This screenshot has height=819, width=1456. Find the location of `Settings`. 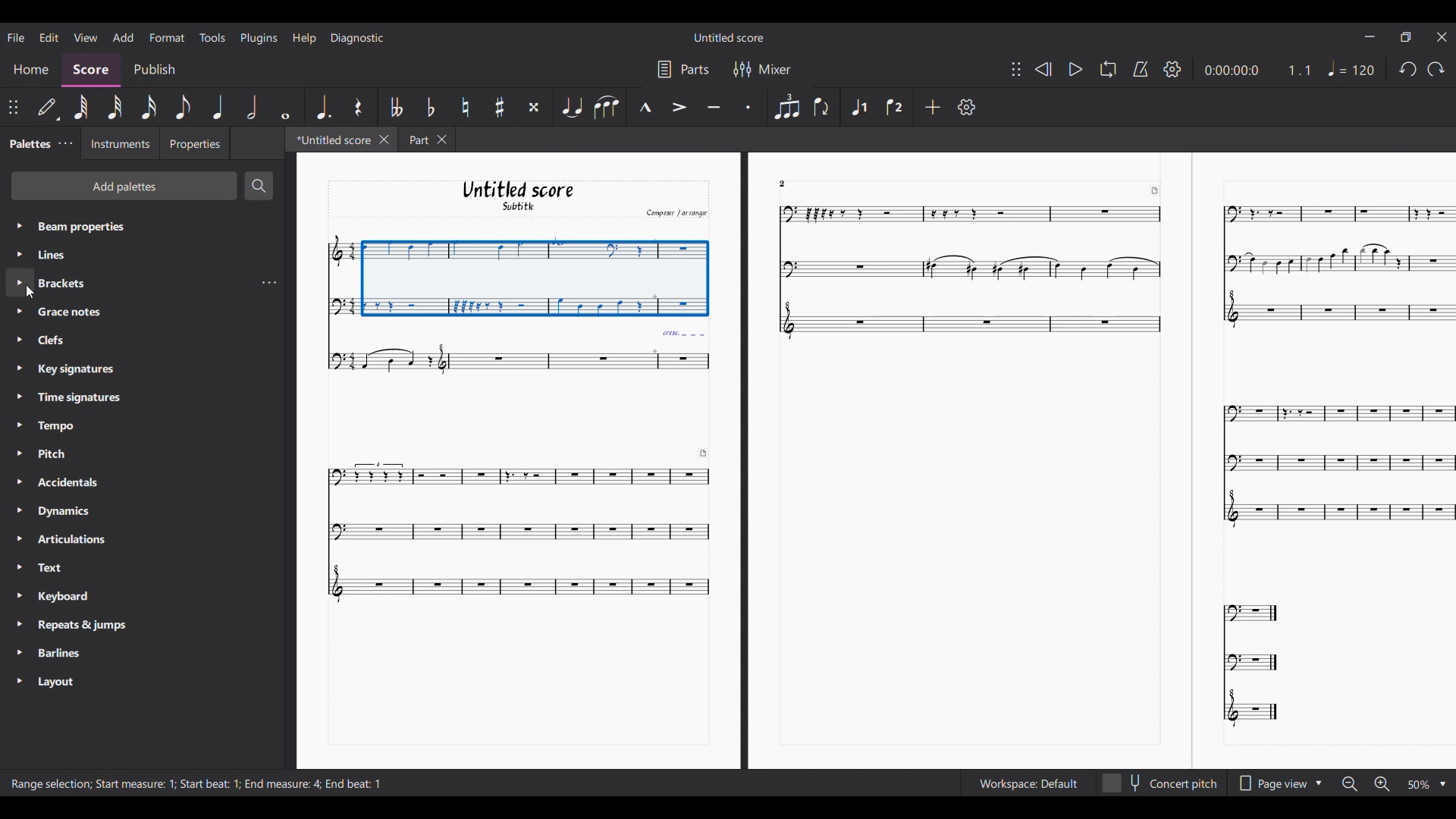

Settings is located at coordinates (966, 107).